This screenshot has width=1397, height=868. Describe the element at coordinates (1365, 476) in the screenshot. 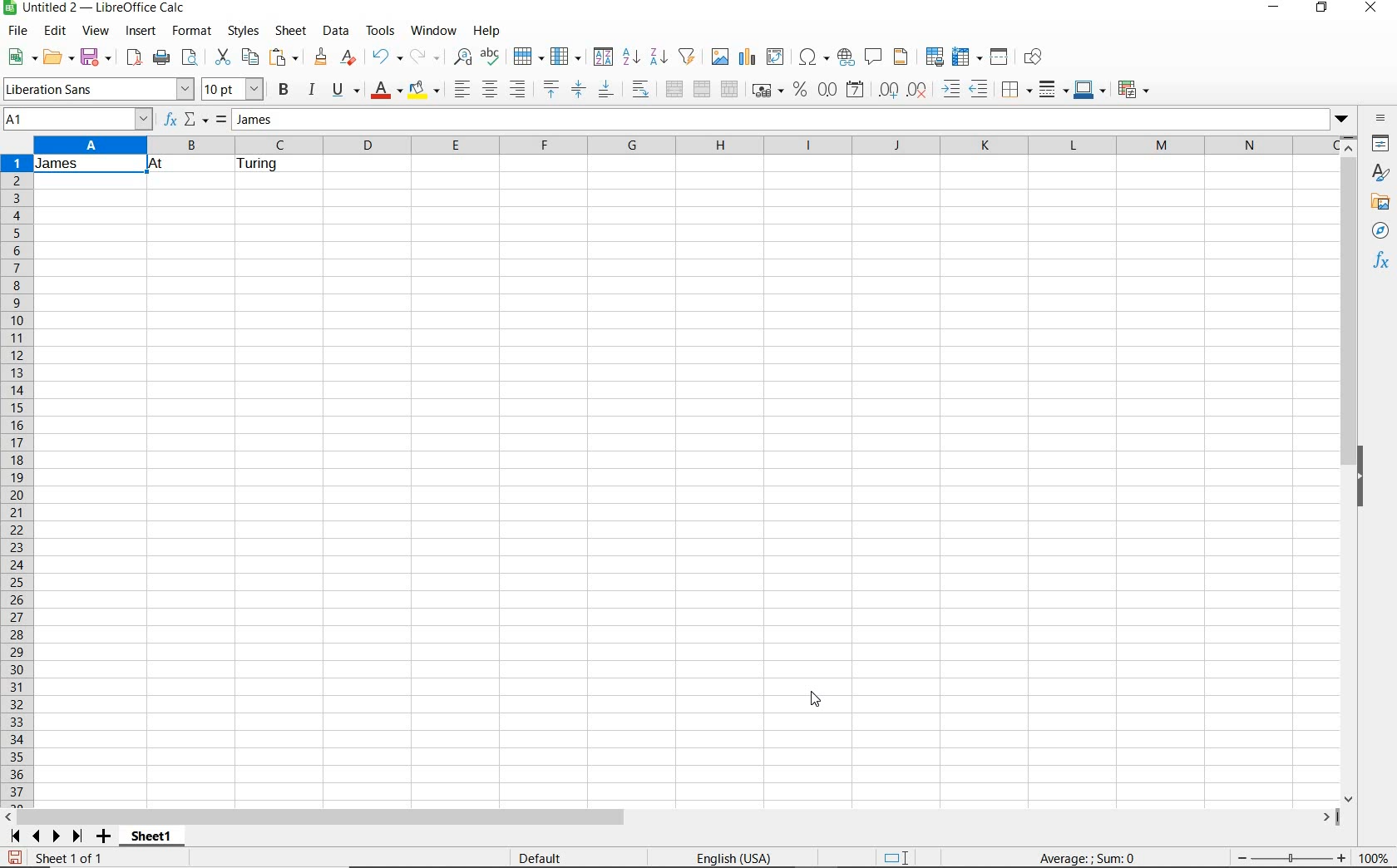

I see `hide` at that location.